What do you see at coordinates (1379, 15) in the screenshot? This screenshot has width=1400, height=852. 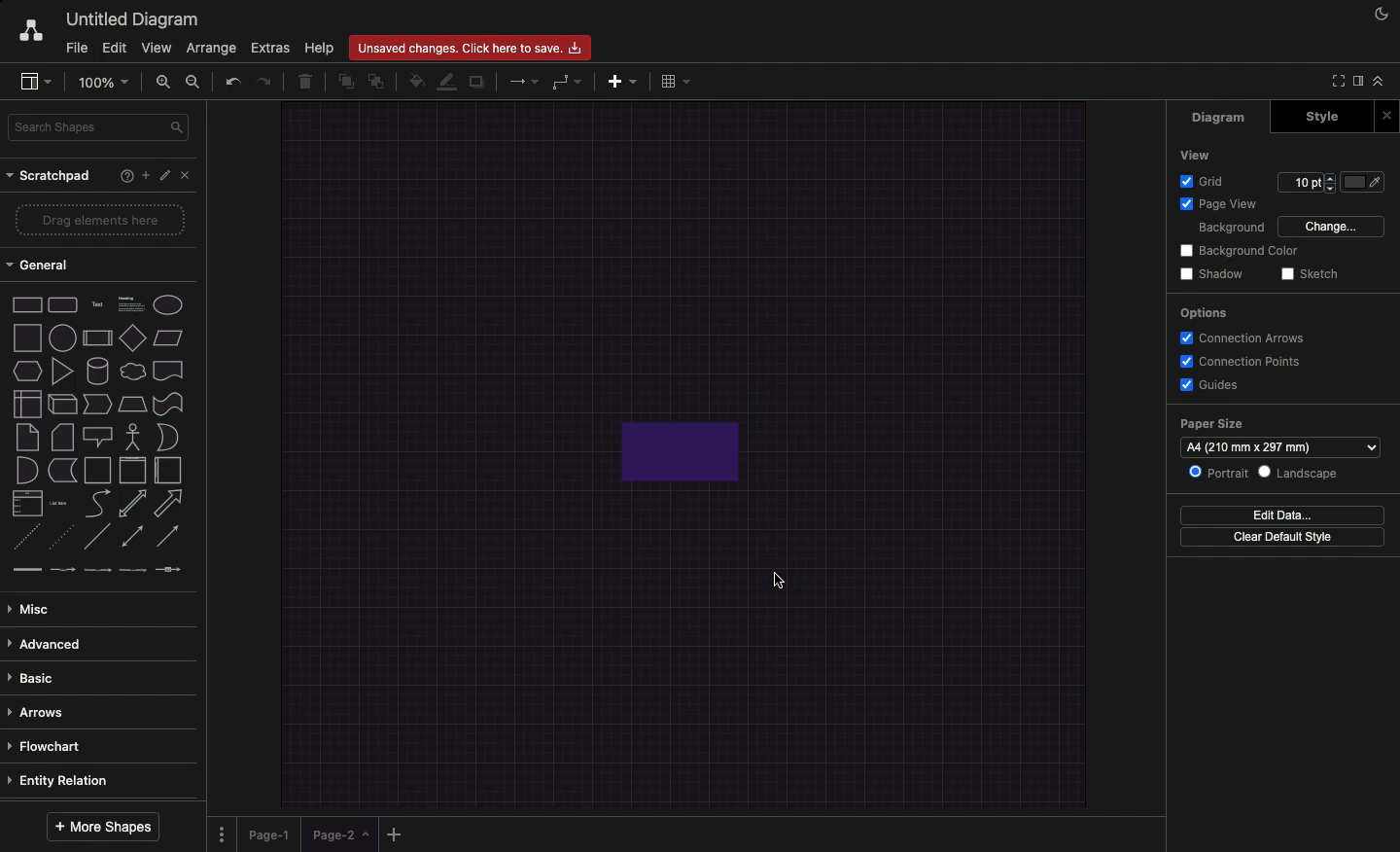 I see `Night shift ` at bounding box center [1379, 15].